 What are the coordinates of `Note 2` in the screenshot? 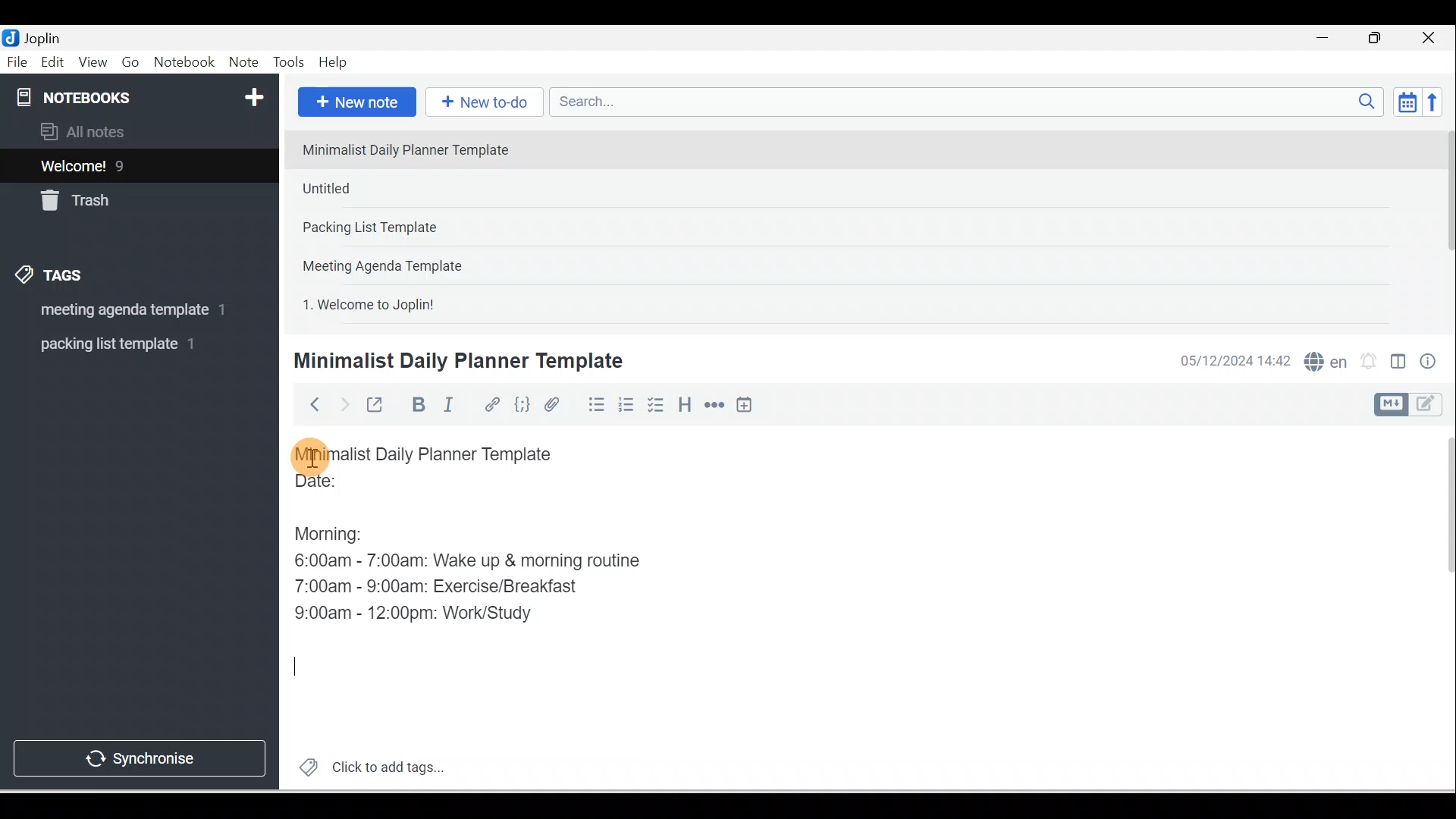 It's located at (401, 188).